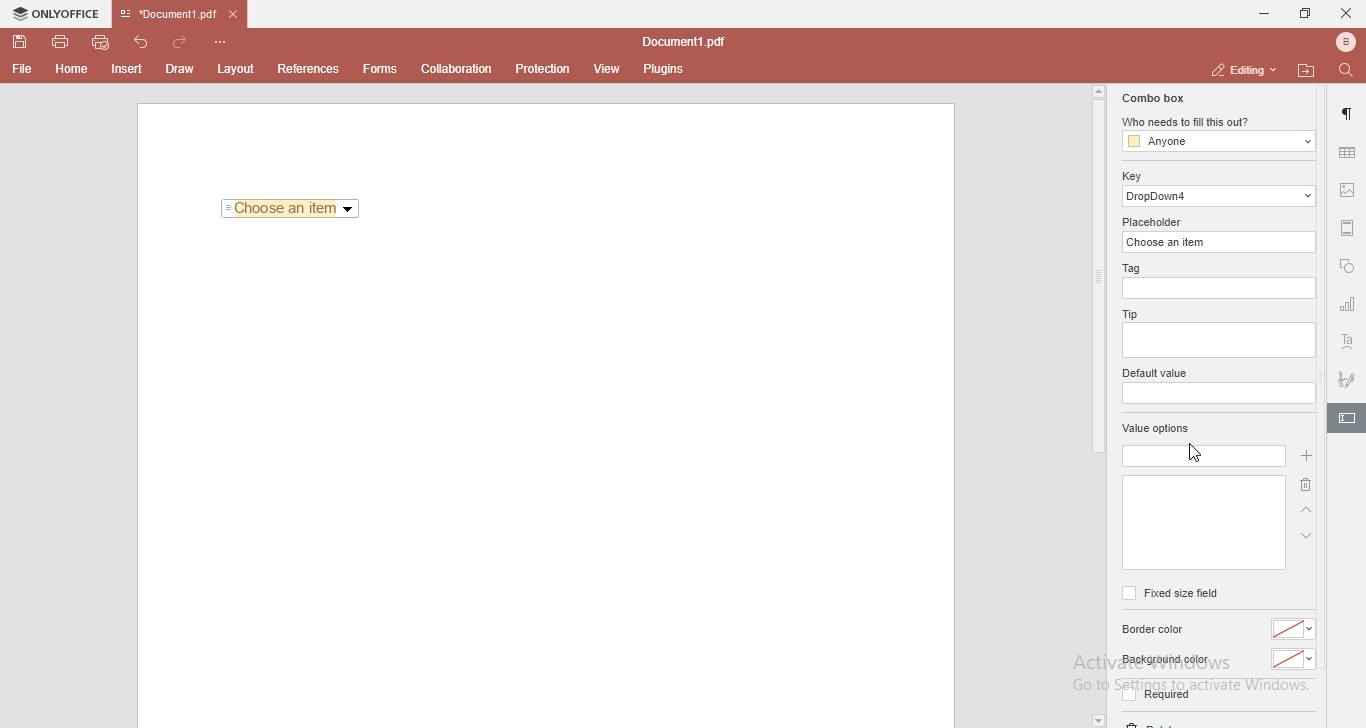 This screenshot has width=1366, height=728. What do you see at coordinates (144, 40) in the screenshot?
I see `undo` at bounding box center [144, 40].